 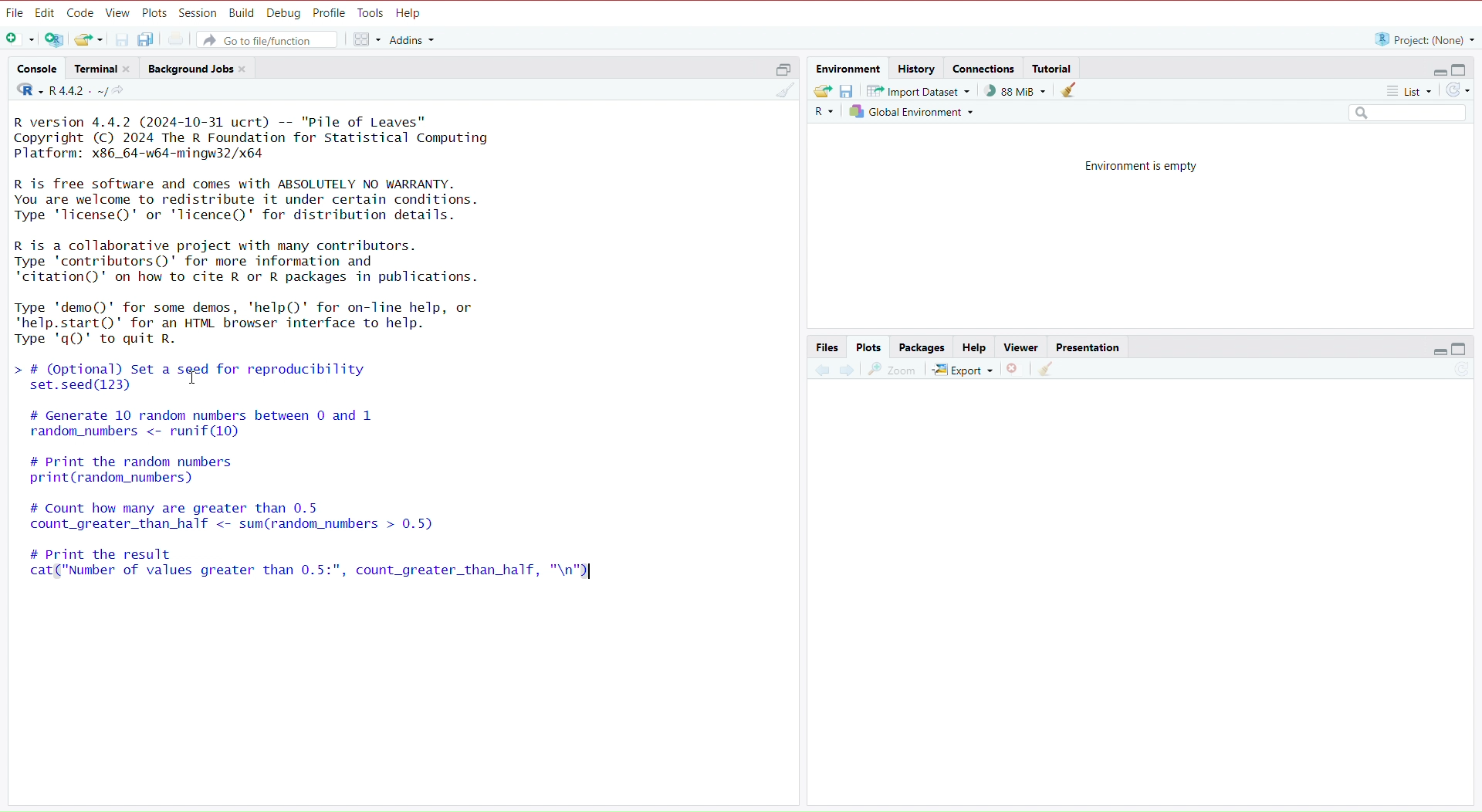 What do you see at coordinates (849, 67) in the screenshot?
I see `Environment` at bounding box center [849, 67].